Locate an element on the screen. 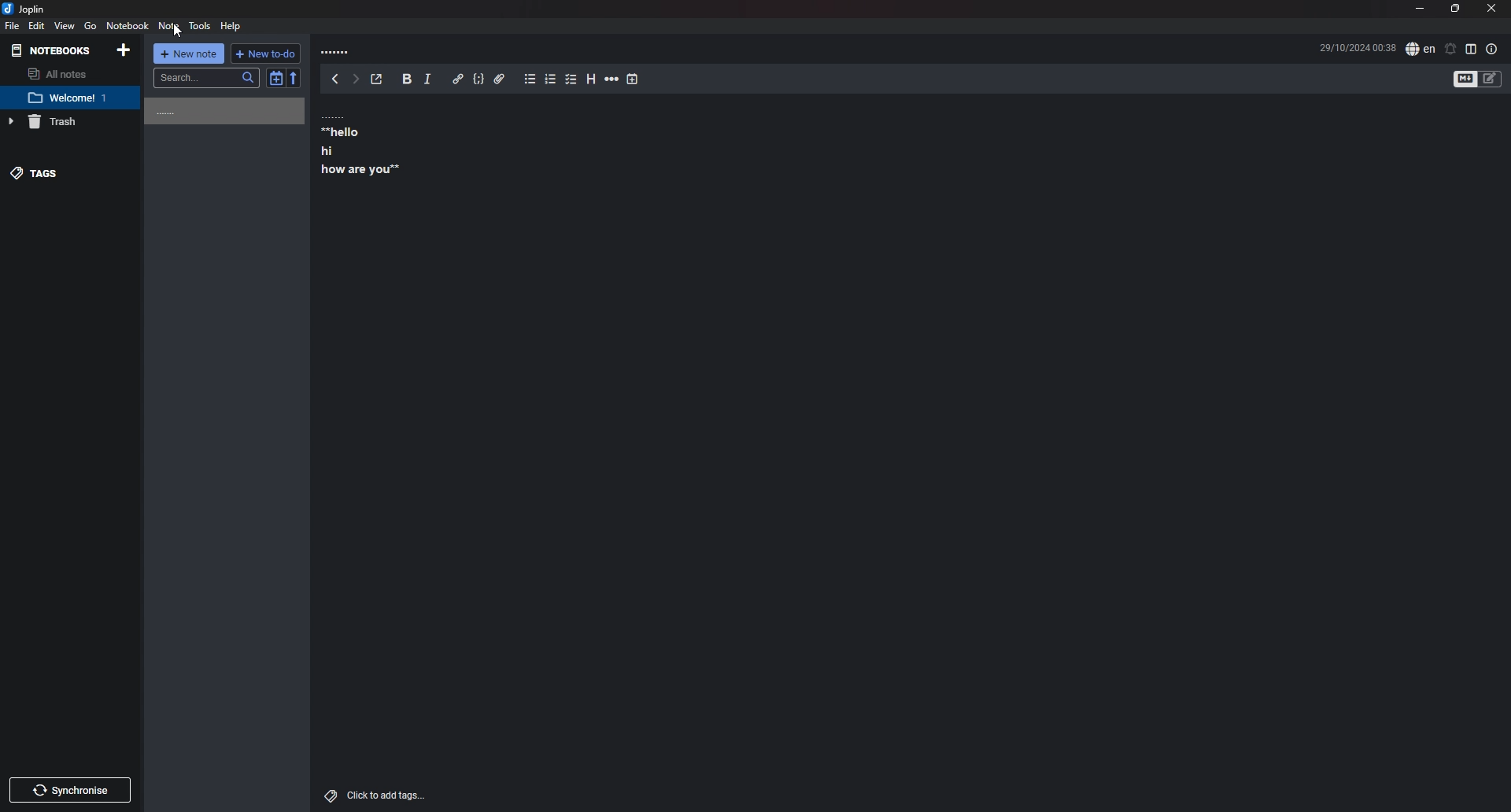 This screenshot has width=1511, height=812. Number list is located at coordinates (552, 79).